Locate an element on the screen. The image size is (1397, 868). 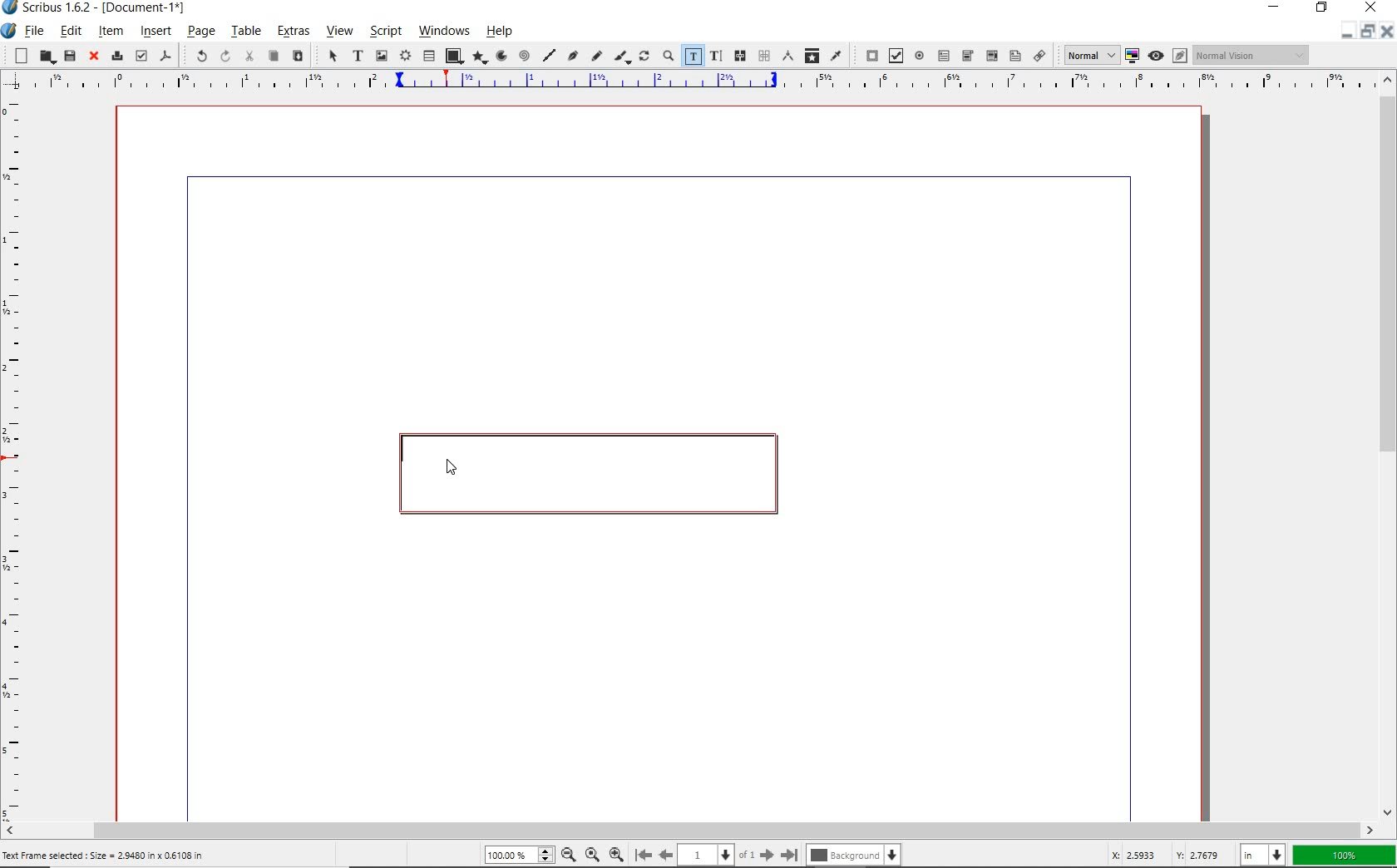
spiral is located at coordinates (524, 57).